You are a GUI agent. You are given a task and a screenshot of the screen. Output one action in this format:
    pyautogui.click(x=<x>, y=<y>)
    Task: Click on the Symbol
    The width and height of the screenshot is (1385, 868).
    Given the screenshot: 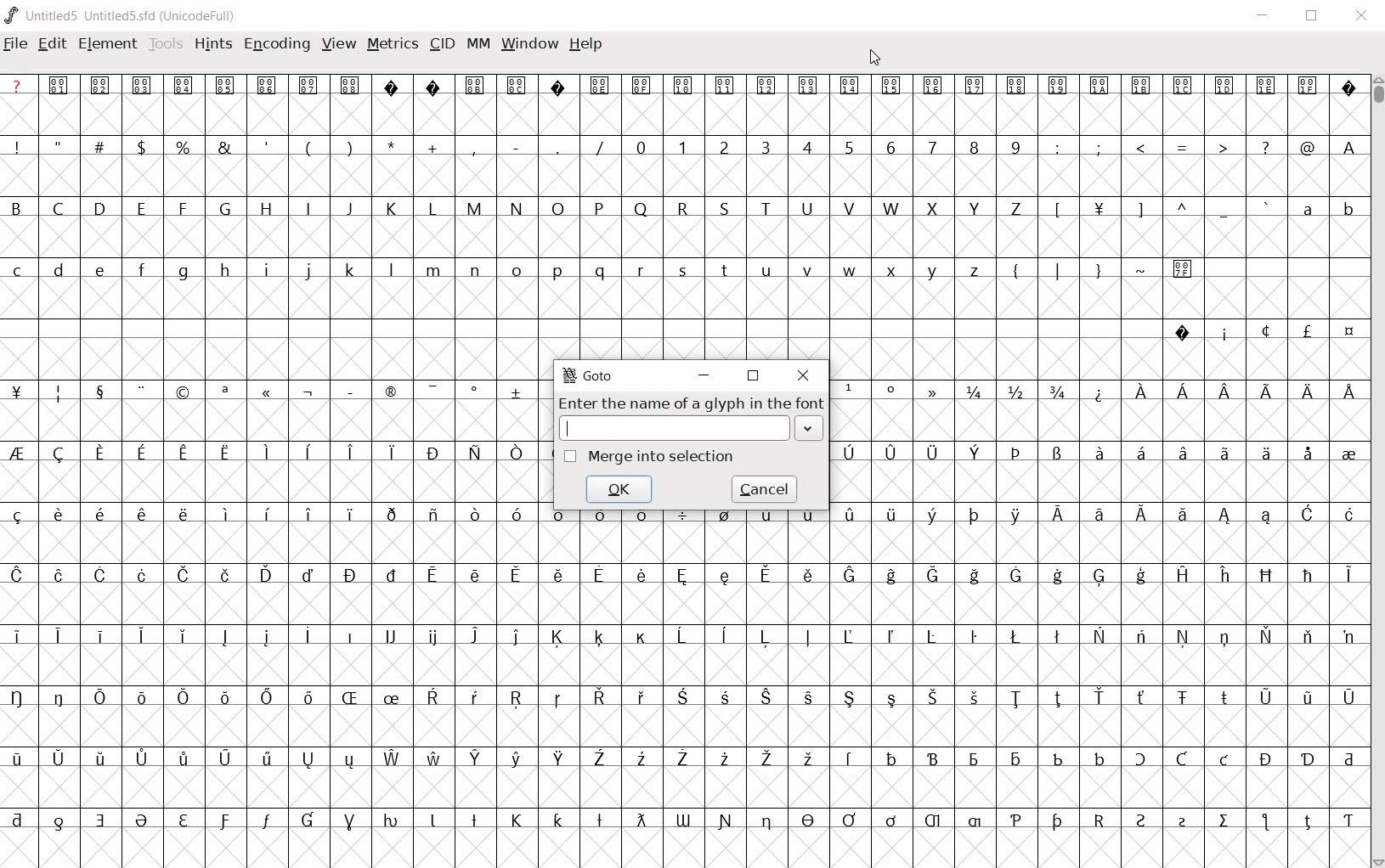 What is the action you would take?
    pyautogui.click(x=891, y=392)
    